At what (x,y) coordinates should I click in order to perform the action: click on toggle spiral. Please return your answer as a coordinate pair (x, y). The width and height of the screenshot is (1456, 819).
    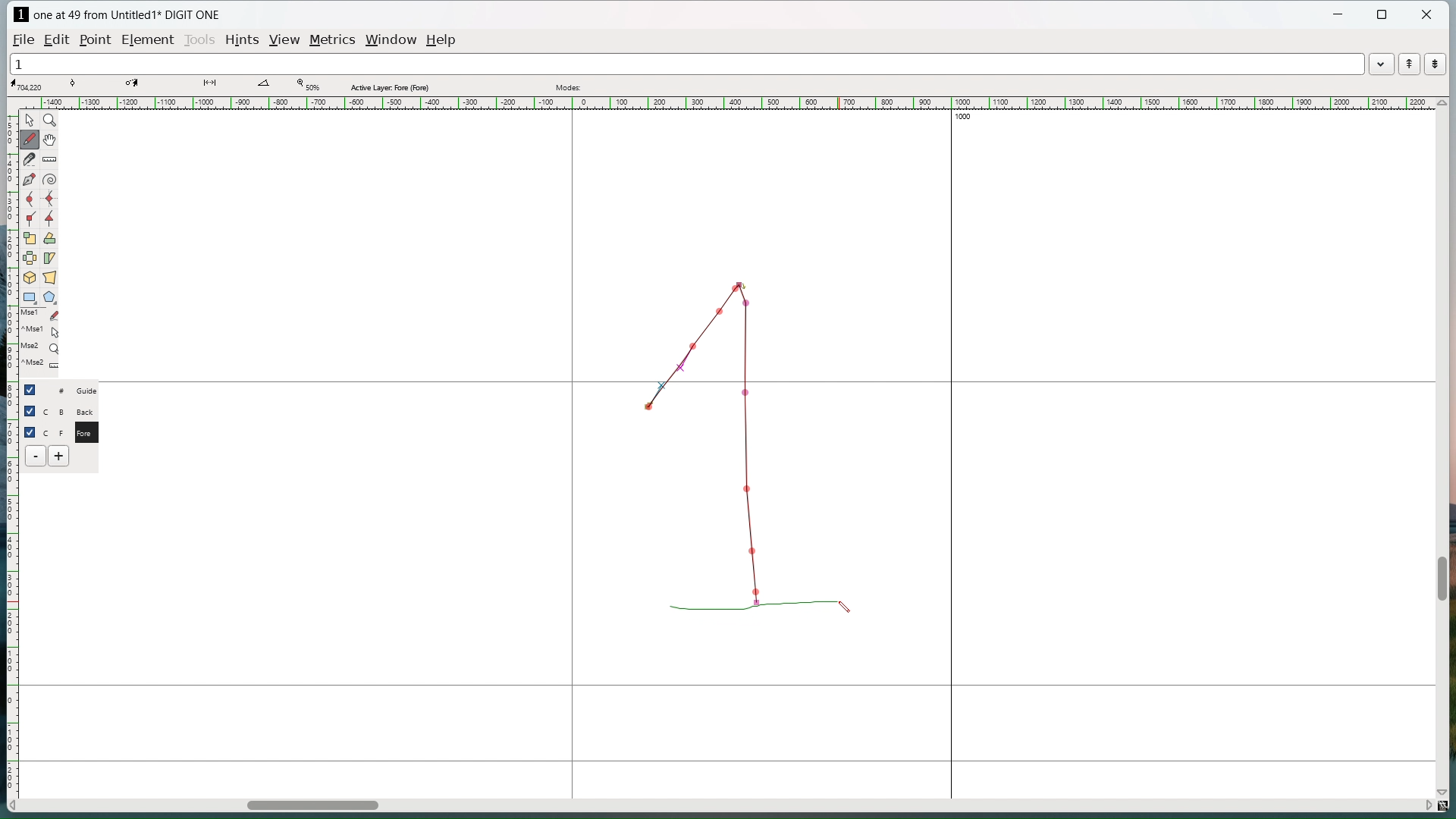
    Looking at the image, I should click on (50, 180).